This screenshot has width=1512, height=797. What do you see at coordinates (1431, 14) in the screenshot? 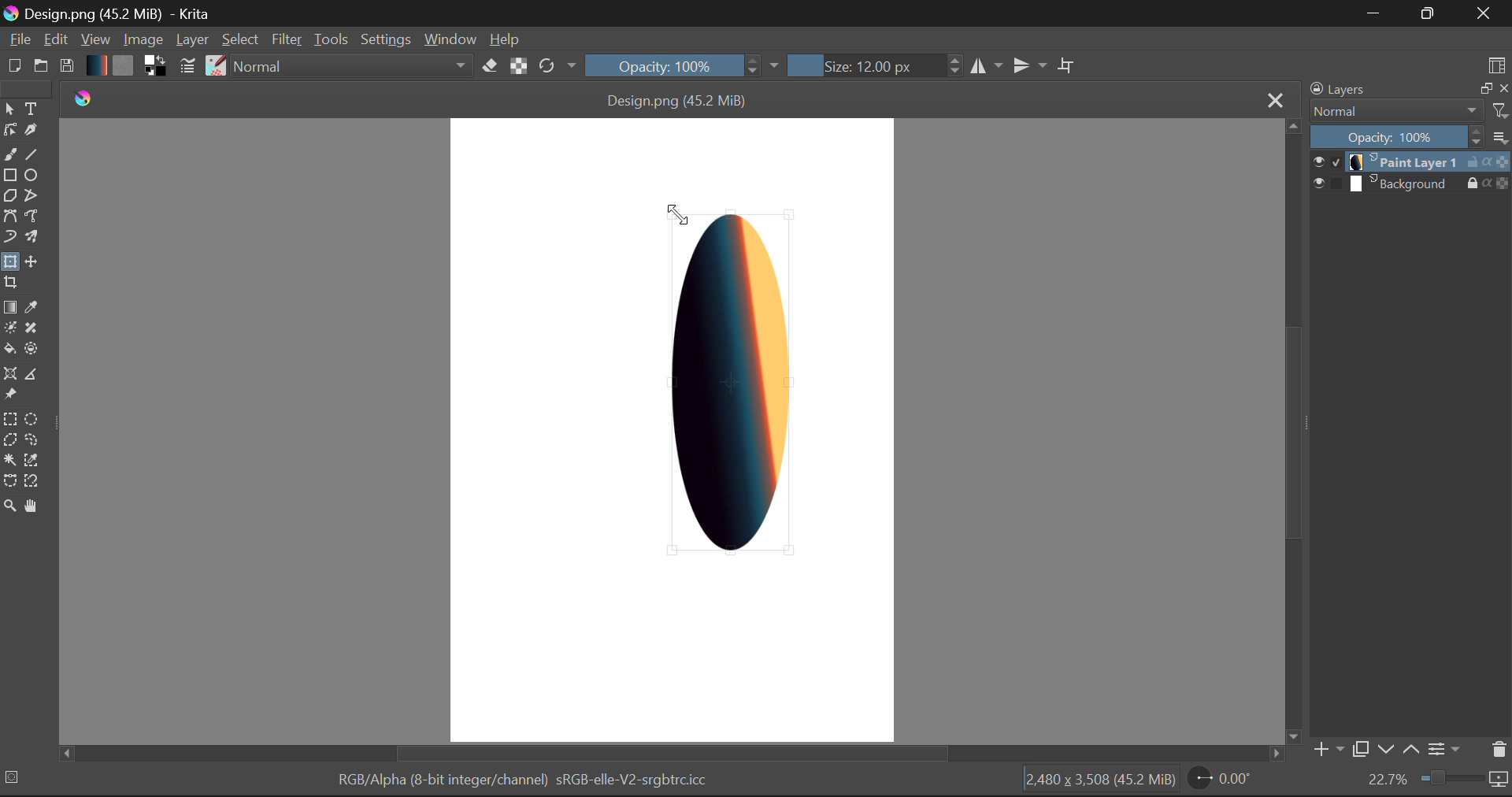
I see `Minimize` at bounding box center [1431, 14].